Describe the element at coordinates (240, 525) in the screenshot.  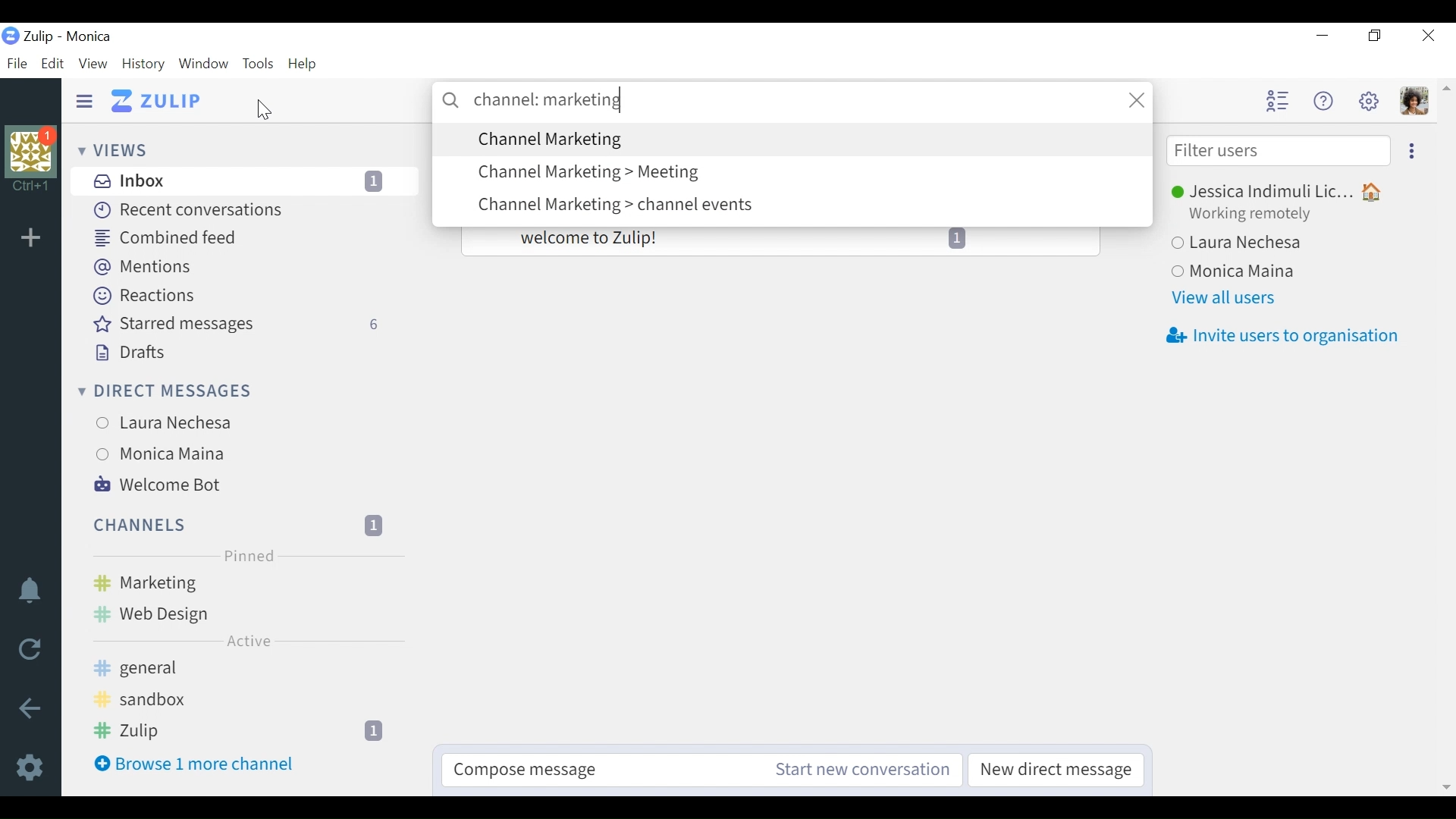
I see `Channel` at that location.